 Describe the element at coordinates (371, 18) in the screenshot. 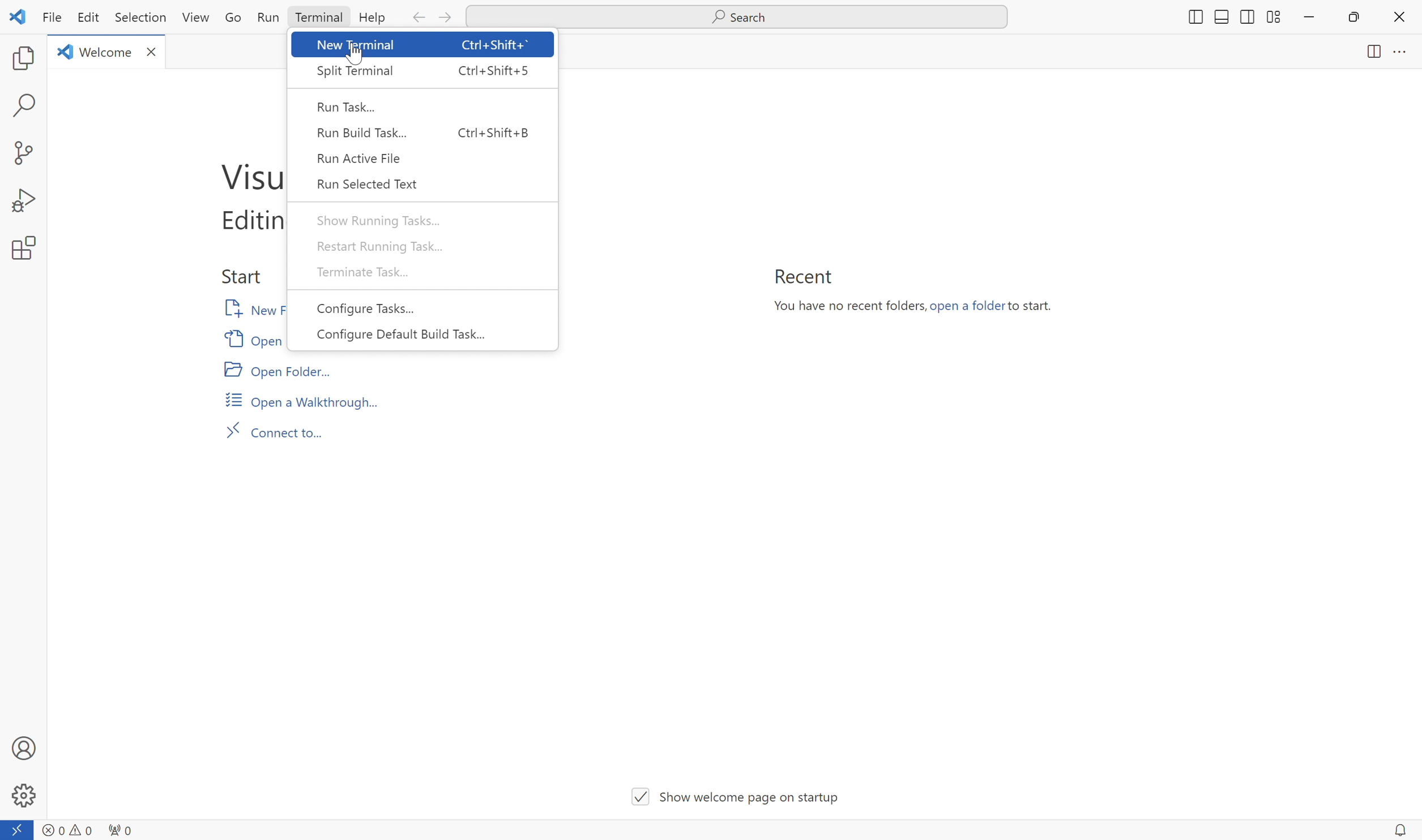

I see `Help` at that location.